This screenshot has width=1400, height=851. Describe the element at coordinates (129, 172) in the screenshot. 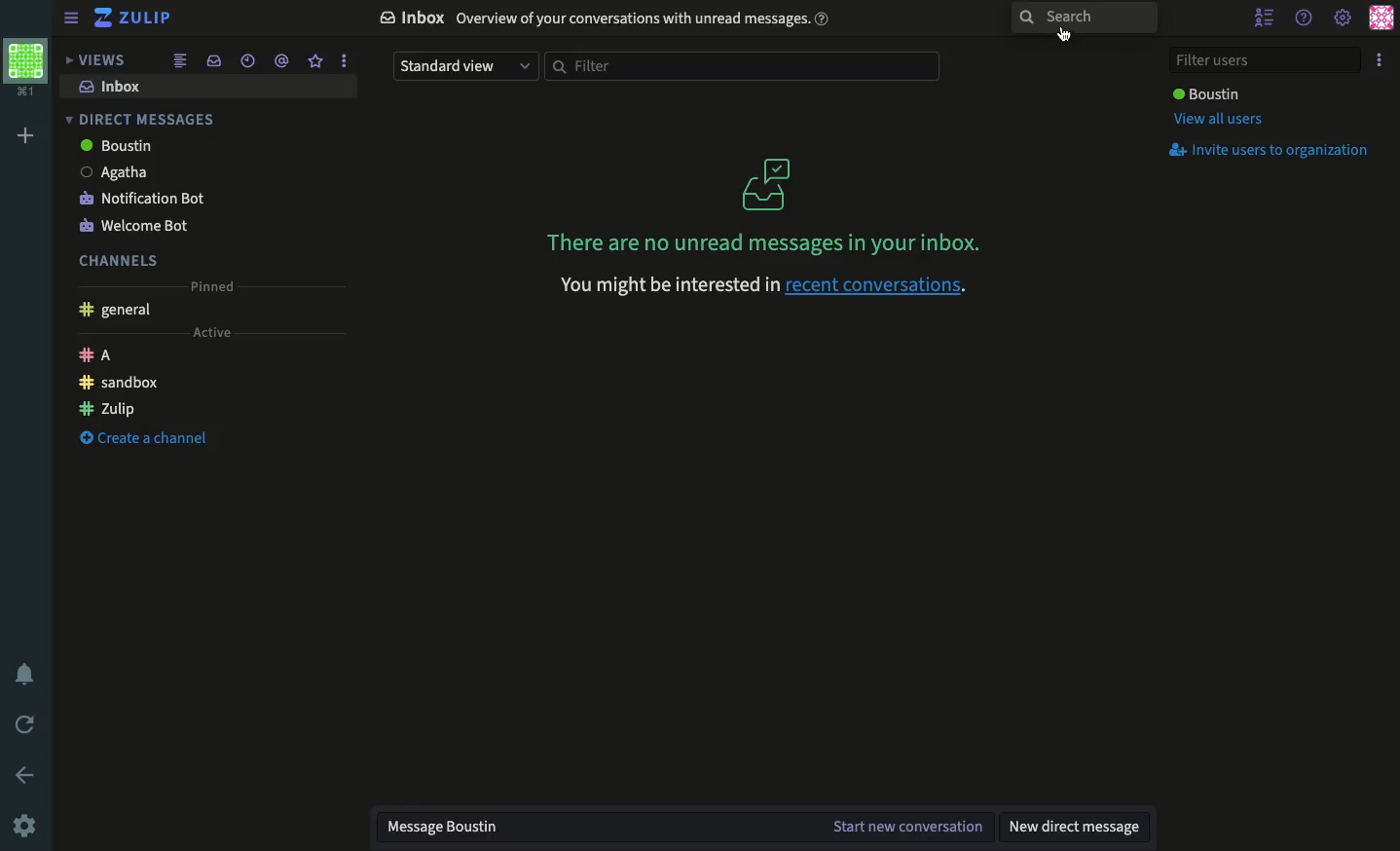

I see `agatha` at that location.